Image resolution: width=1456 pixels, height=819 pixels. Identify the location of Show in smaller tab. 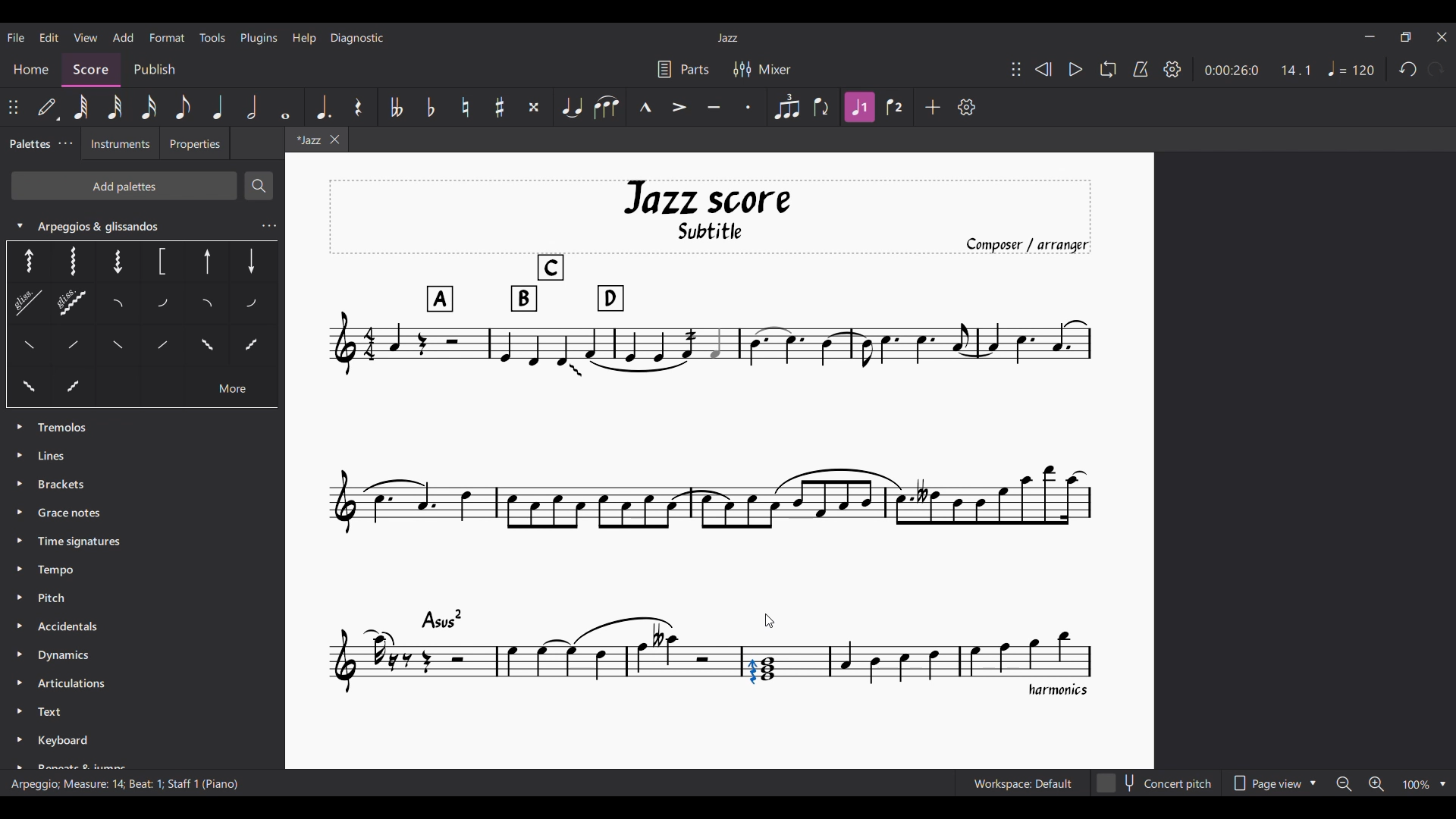
(1405, 36).